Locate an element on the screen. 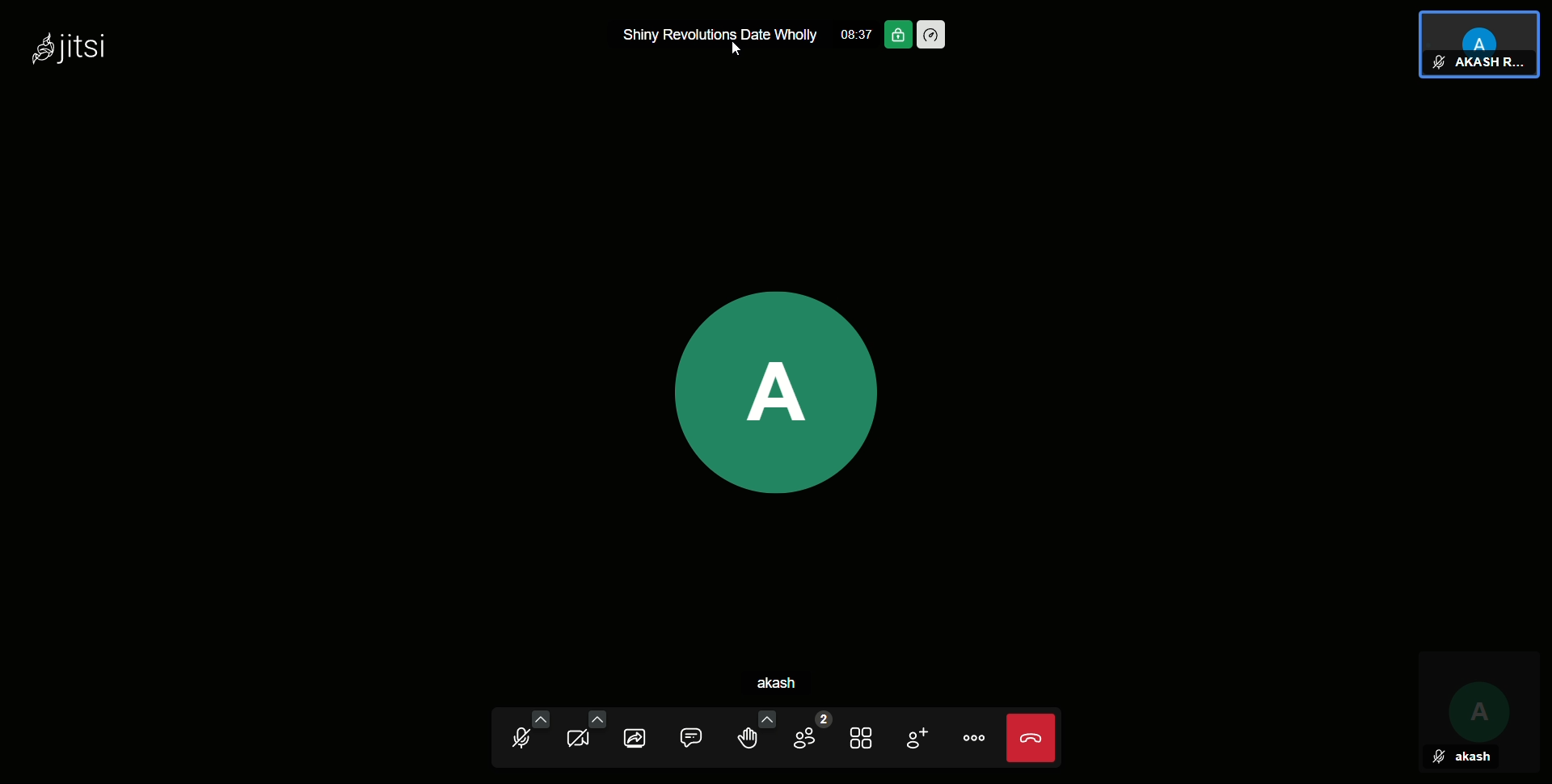 The height and width of the screenshot is (784, 1552). shiny revolutions date wholly is located at coordinates (723, 36).